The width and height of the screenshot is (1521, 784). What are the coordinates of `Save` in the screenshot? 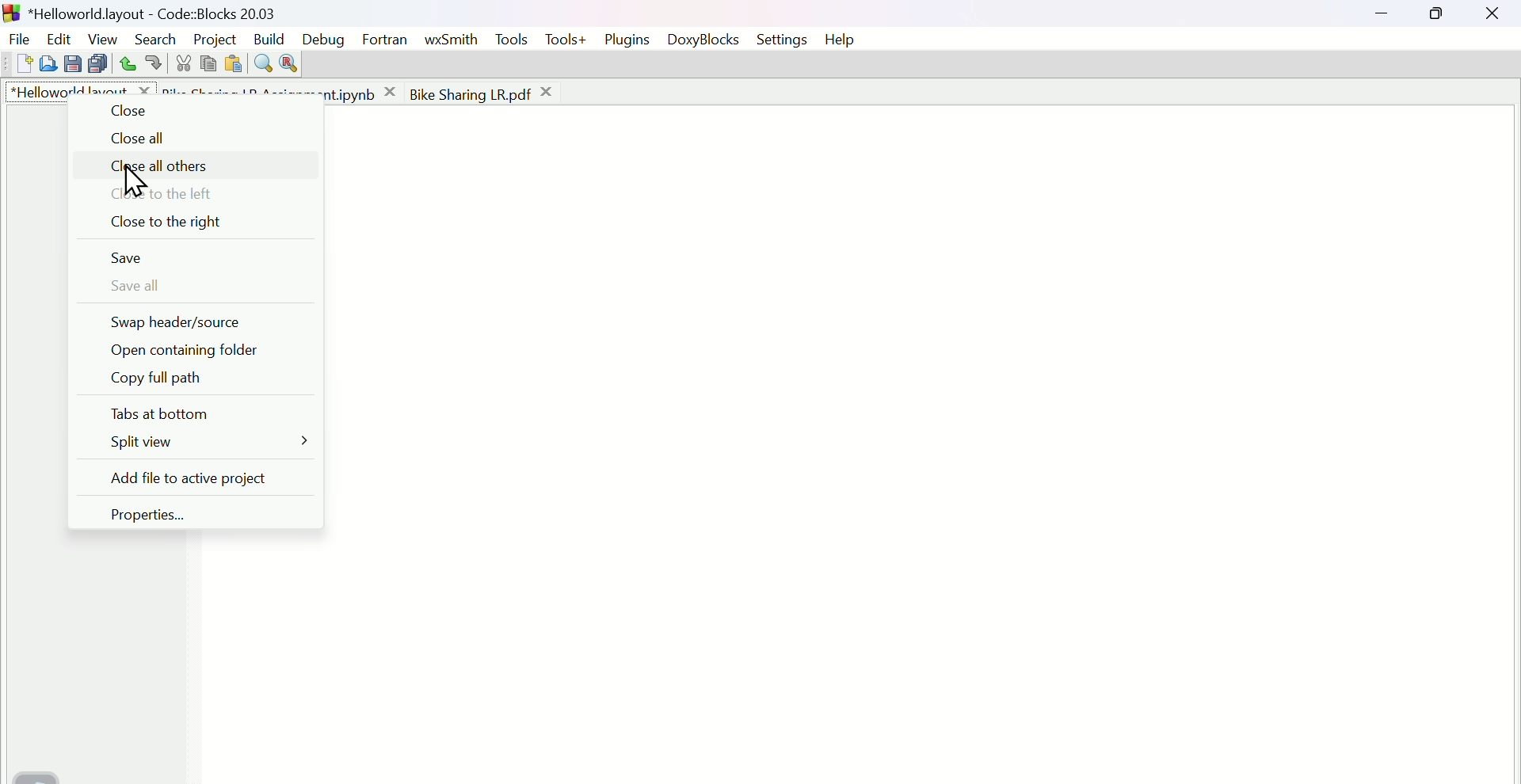 It's located at (137, 259).